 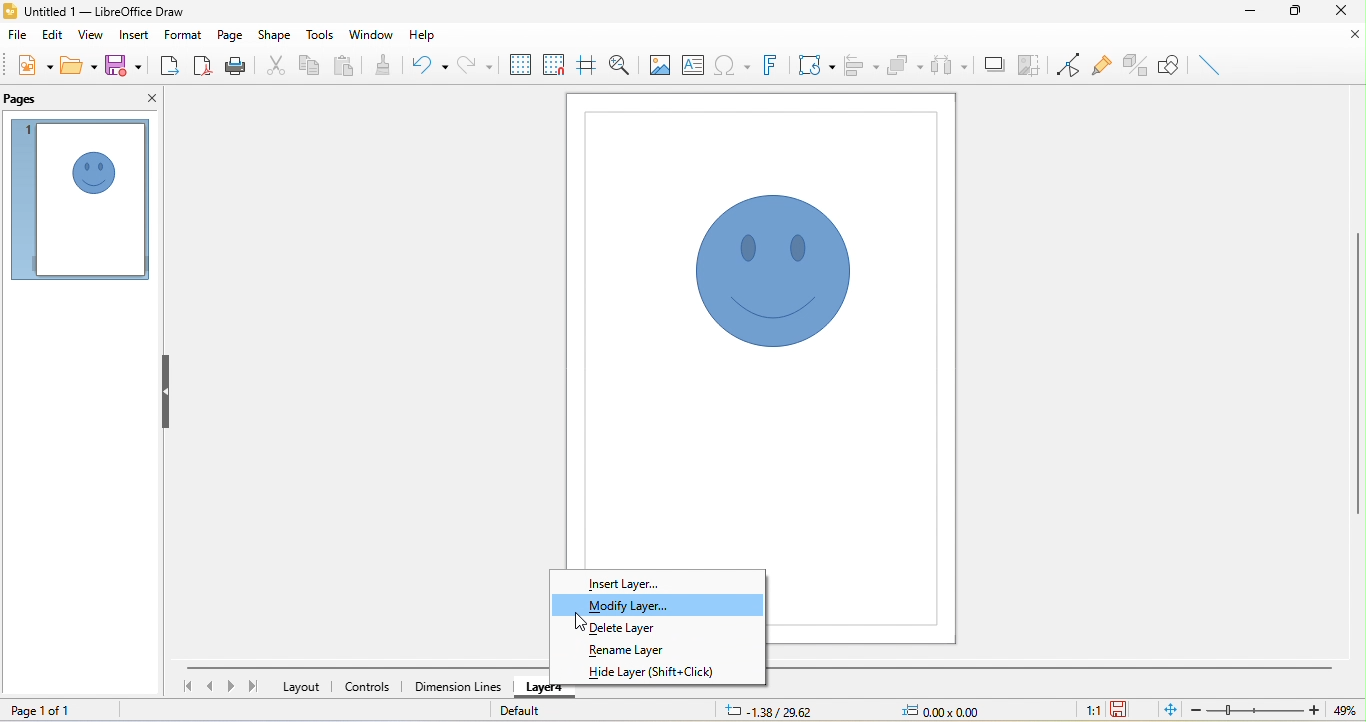 I want to click on help, so click(x=421, y=36).